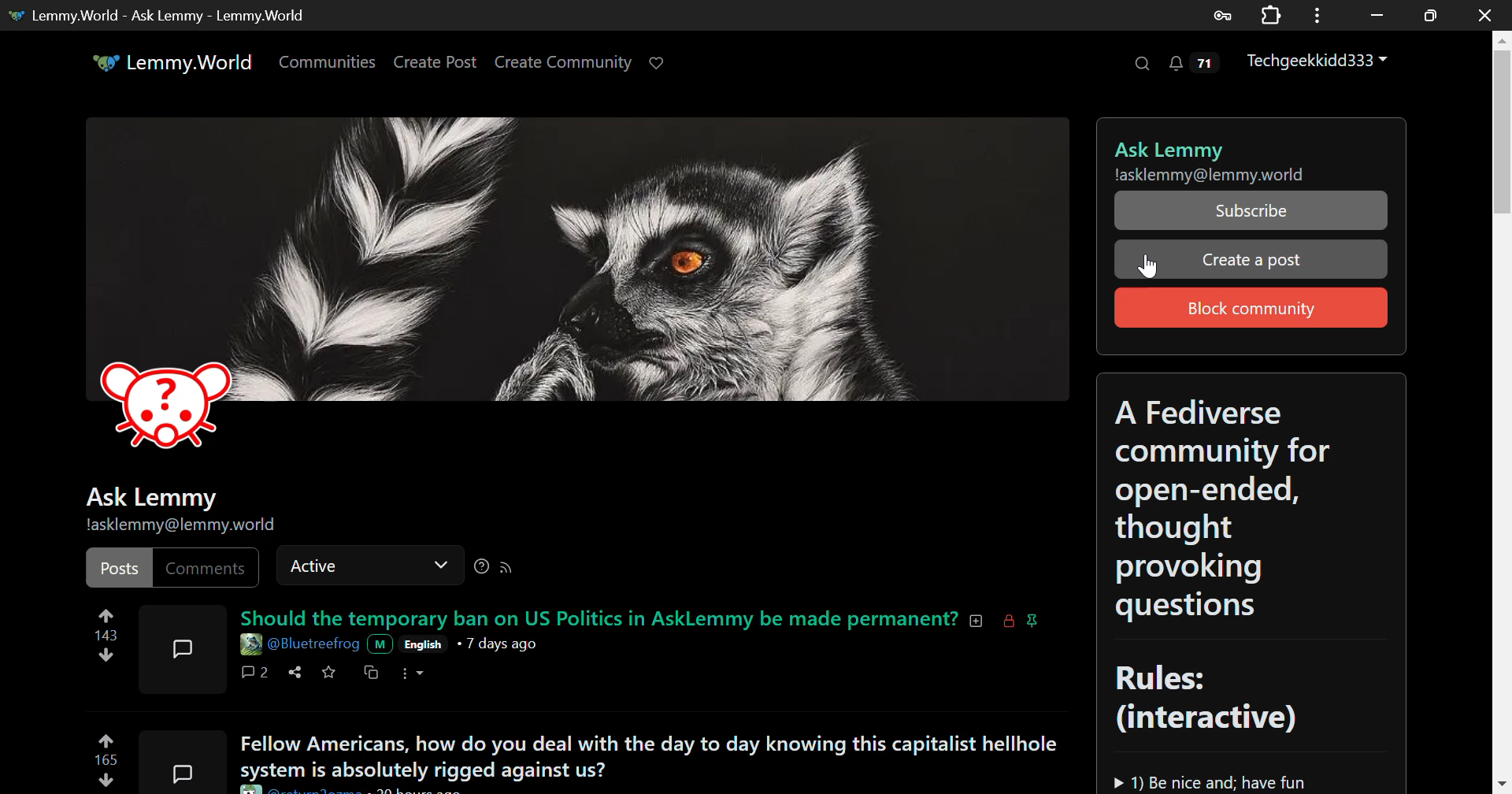  I want to click on Techgeekkidd333, so click(1322, 63).